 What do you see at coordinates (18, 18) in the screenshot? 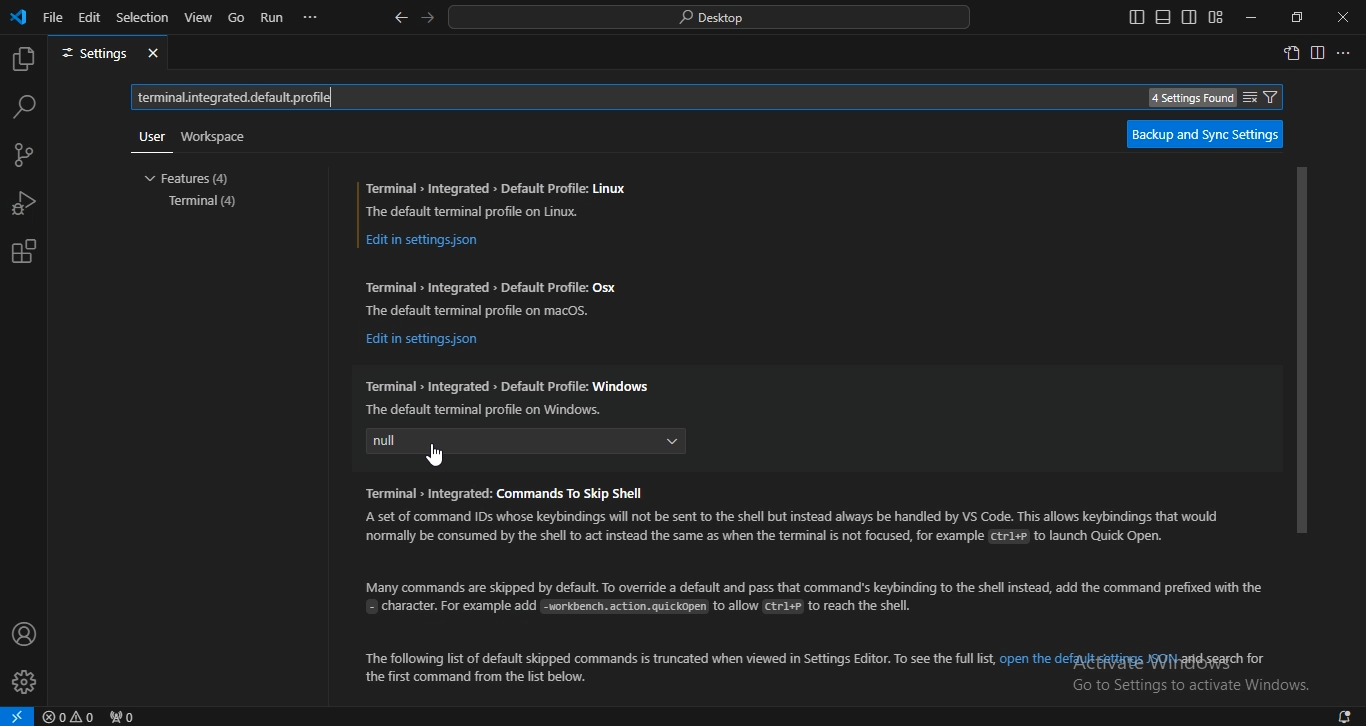
I see `vscode icon` at bounding box center [18, 18].